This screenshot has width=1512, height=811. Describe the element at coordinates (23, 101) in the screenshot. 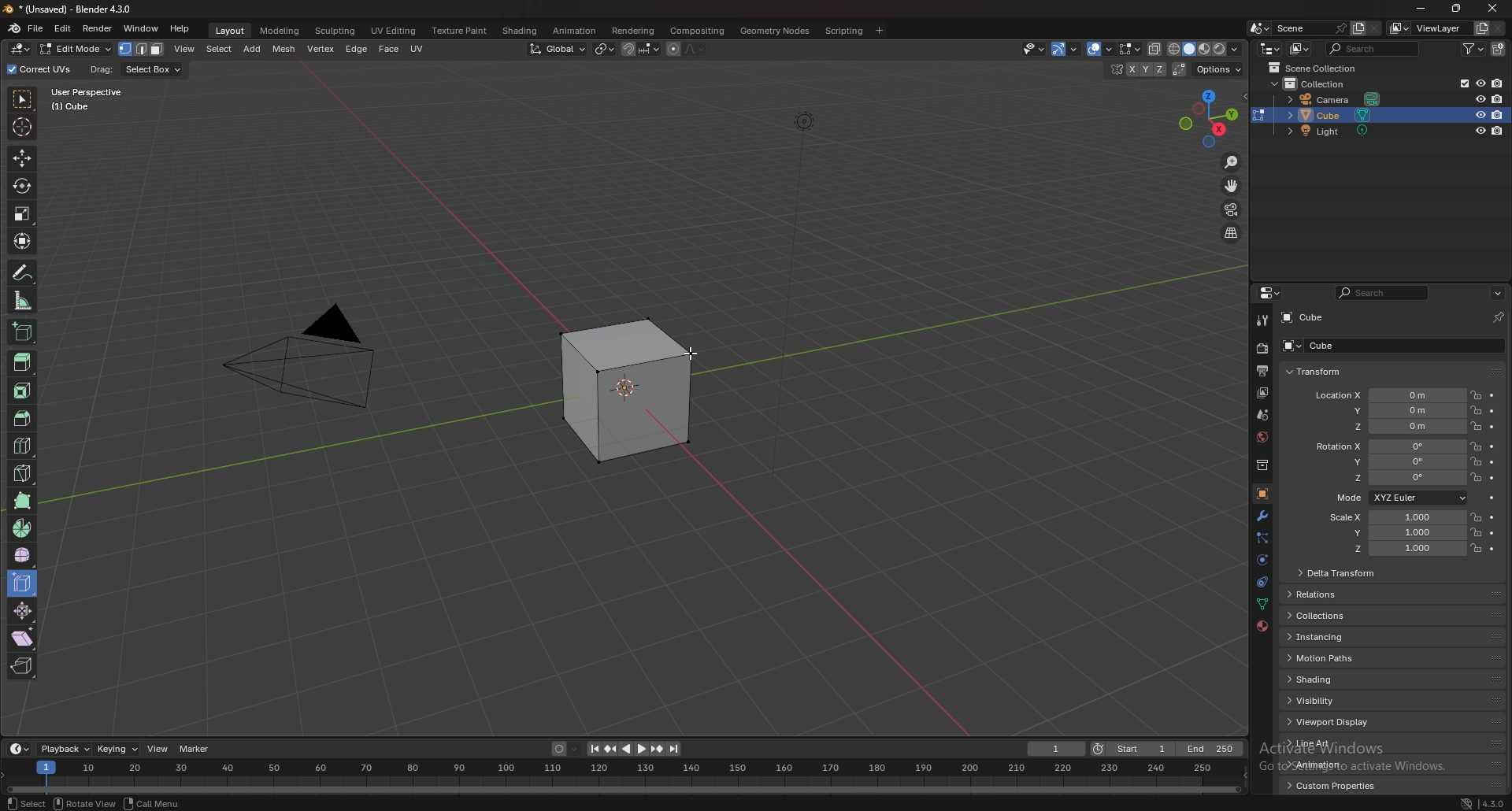

I see `select` at that location.